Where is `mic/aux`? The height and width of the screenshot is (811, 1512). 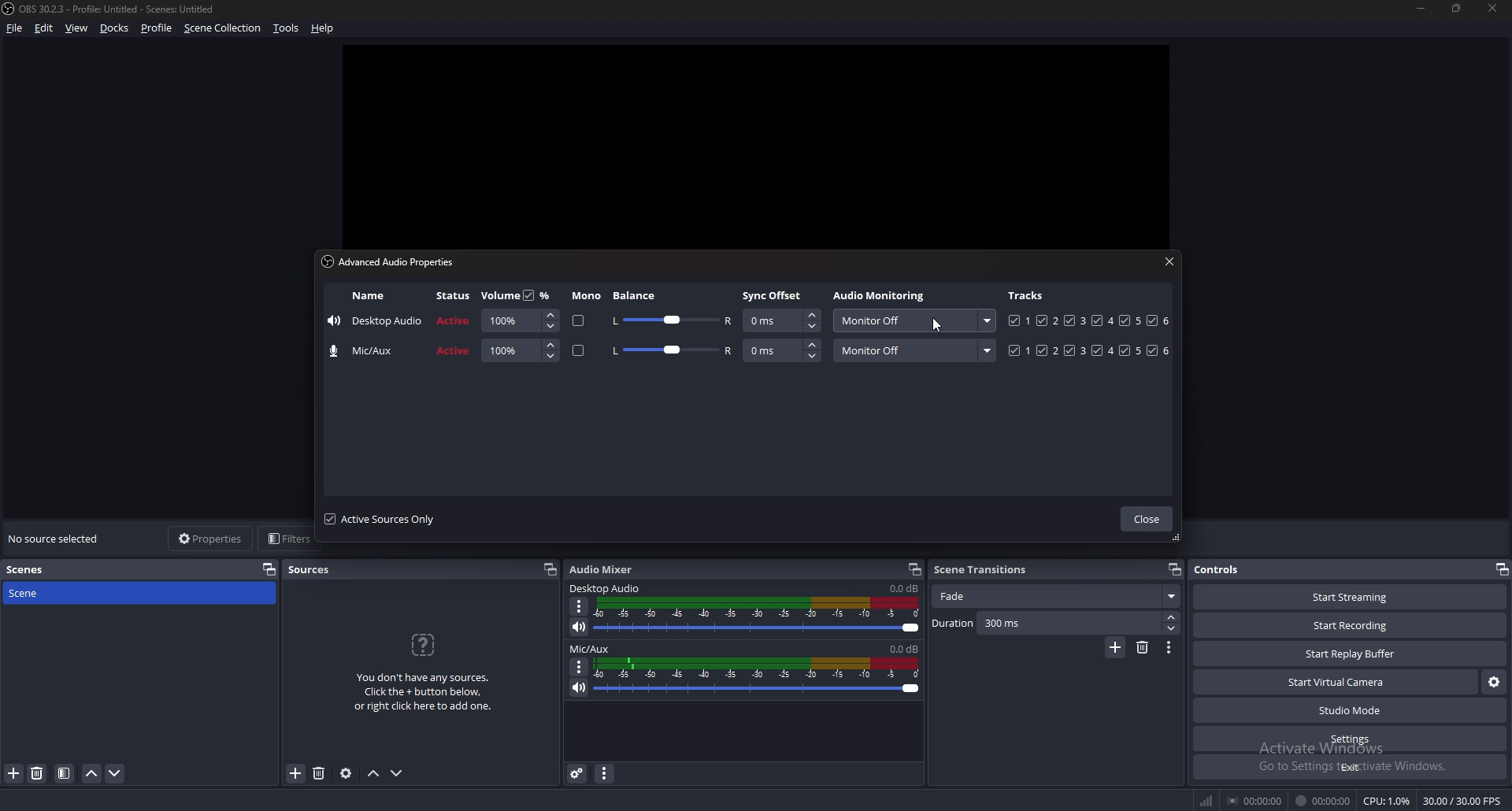 mic/aux is located at coordinates (591, 648).